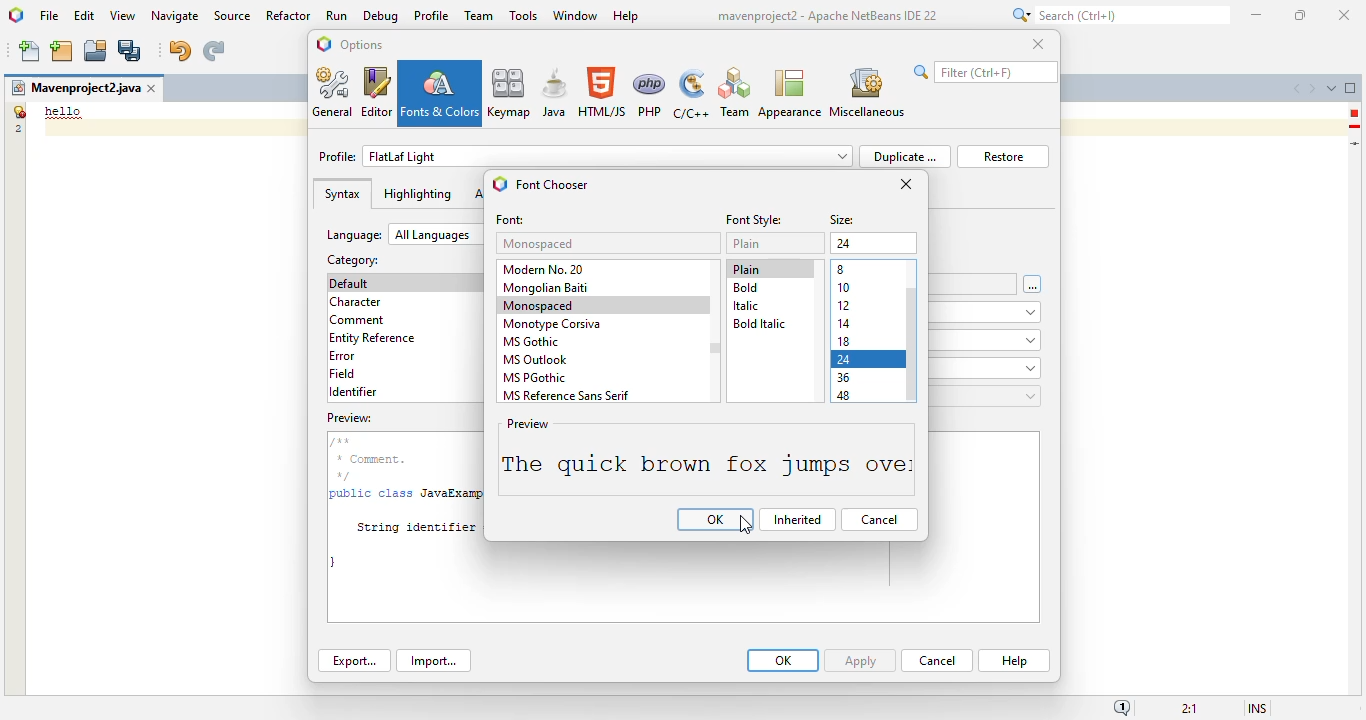 Image resolution: width=1366 pixels, height=720 pixels. I want to click on OK, so click(715, 519).